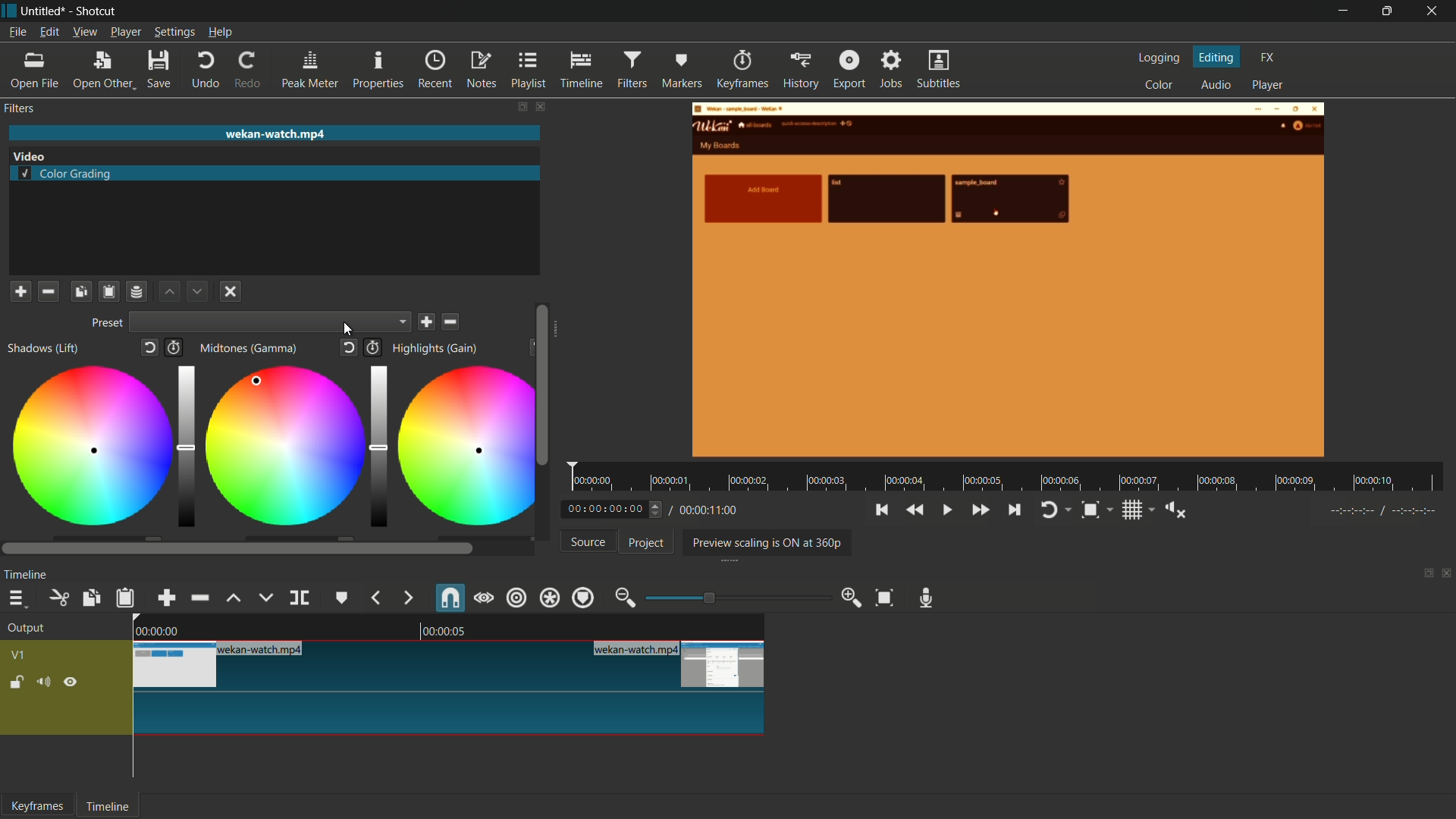 This screenshot has width=1456, height=819. What do you see at coordinates (516, 598) in the screenshot?
I see `ripple` at bounding box center [516, 598].